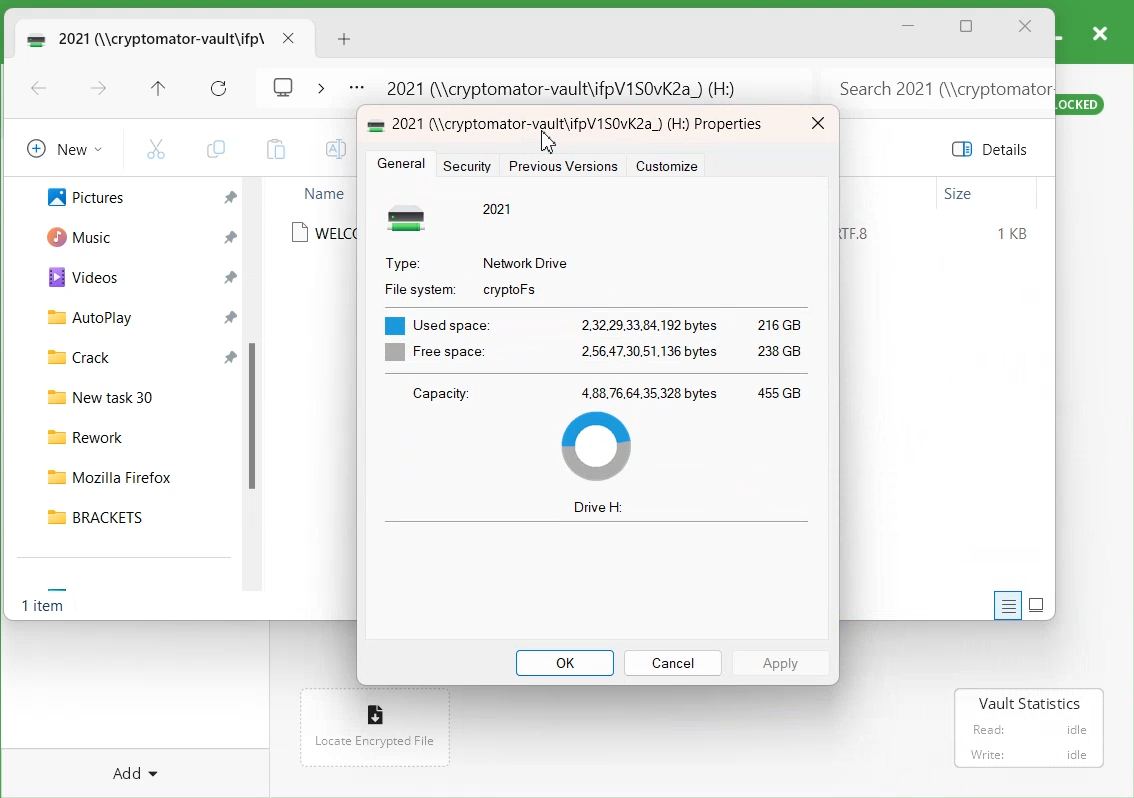 This screenshot has height=798, width=1134. Describe the element at coordinates (672, 662) in the screenshot. I see `Cancel` at that location.